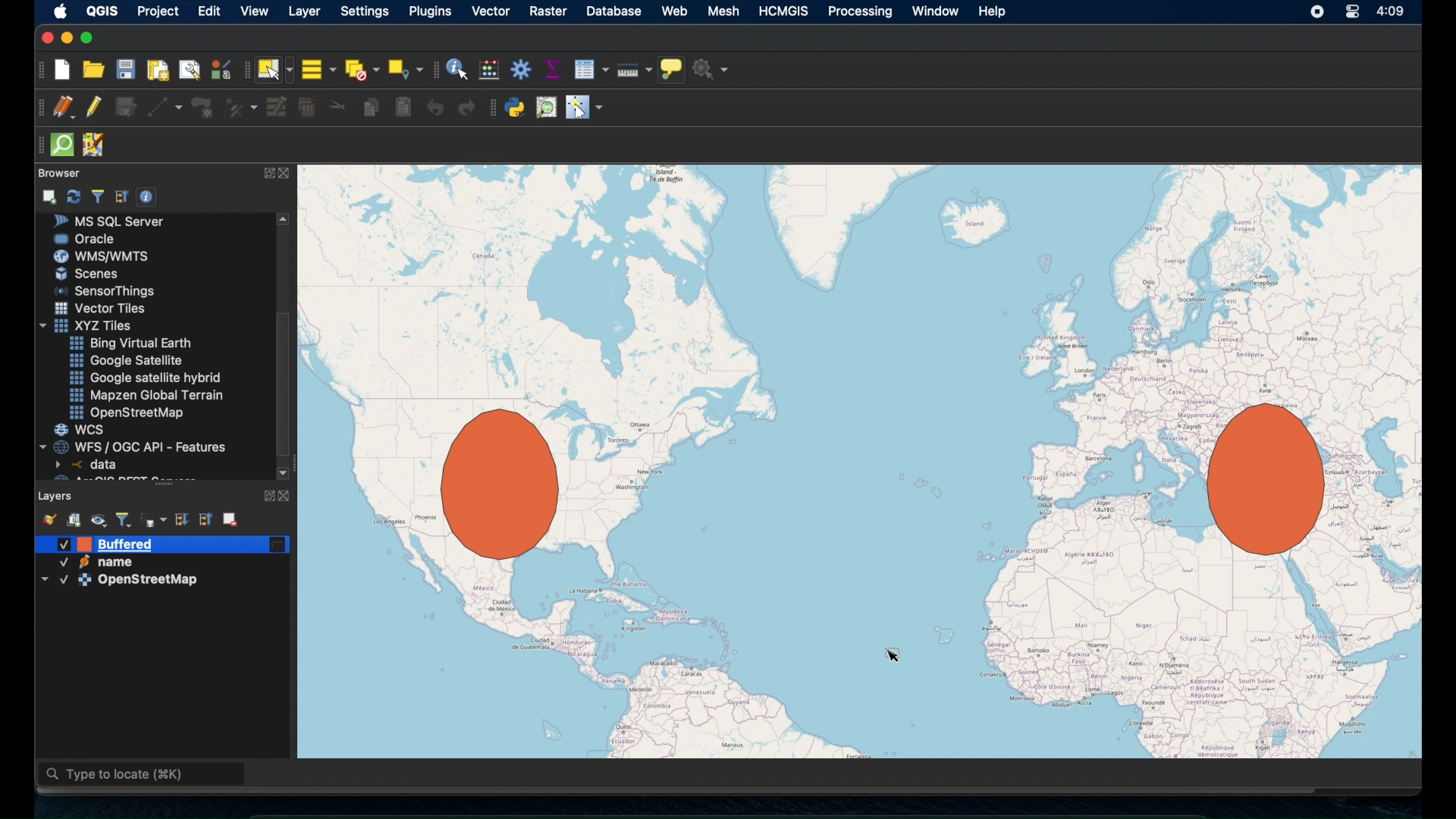  Describe the element at coordinates (135, 446) in the screenshot. I see `wfs/ogc api - features` at that location.